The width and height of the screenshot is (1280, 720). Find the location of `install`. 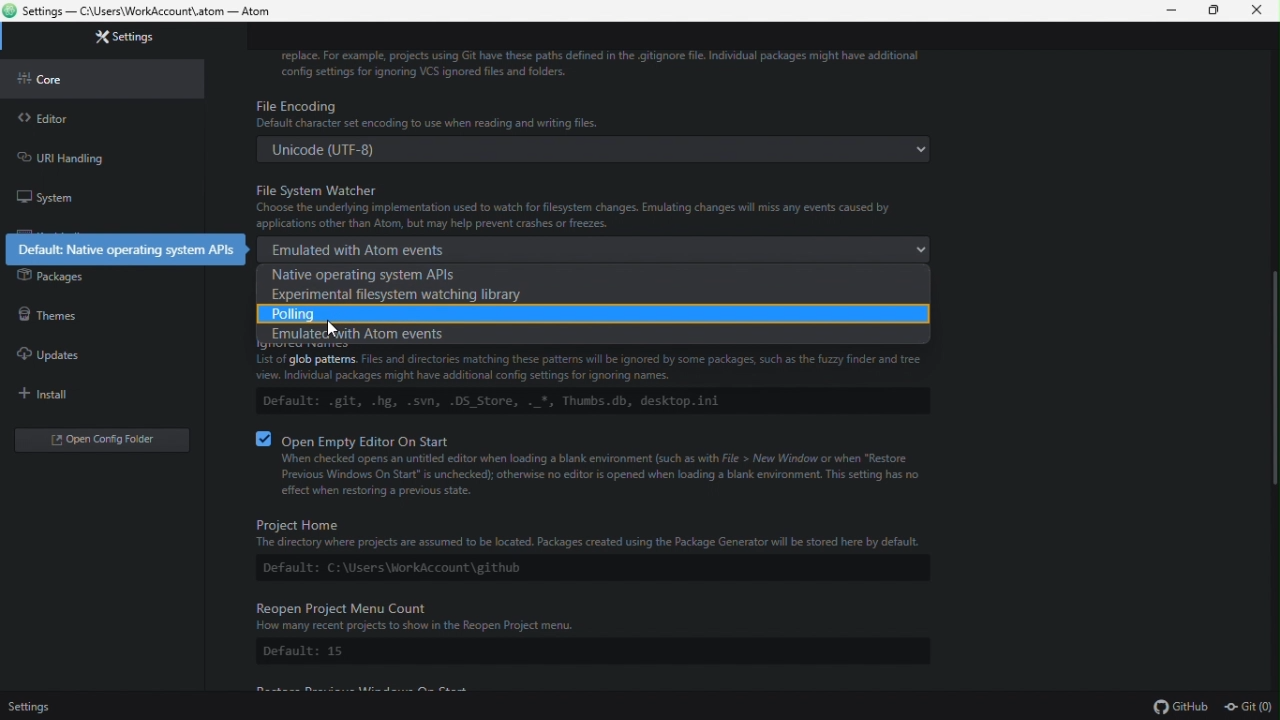

install is located at coordinates (87, 392).